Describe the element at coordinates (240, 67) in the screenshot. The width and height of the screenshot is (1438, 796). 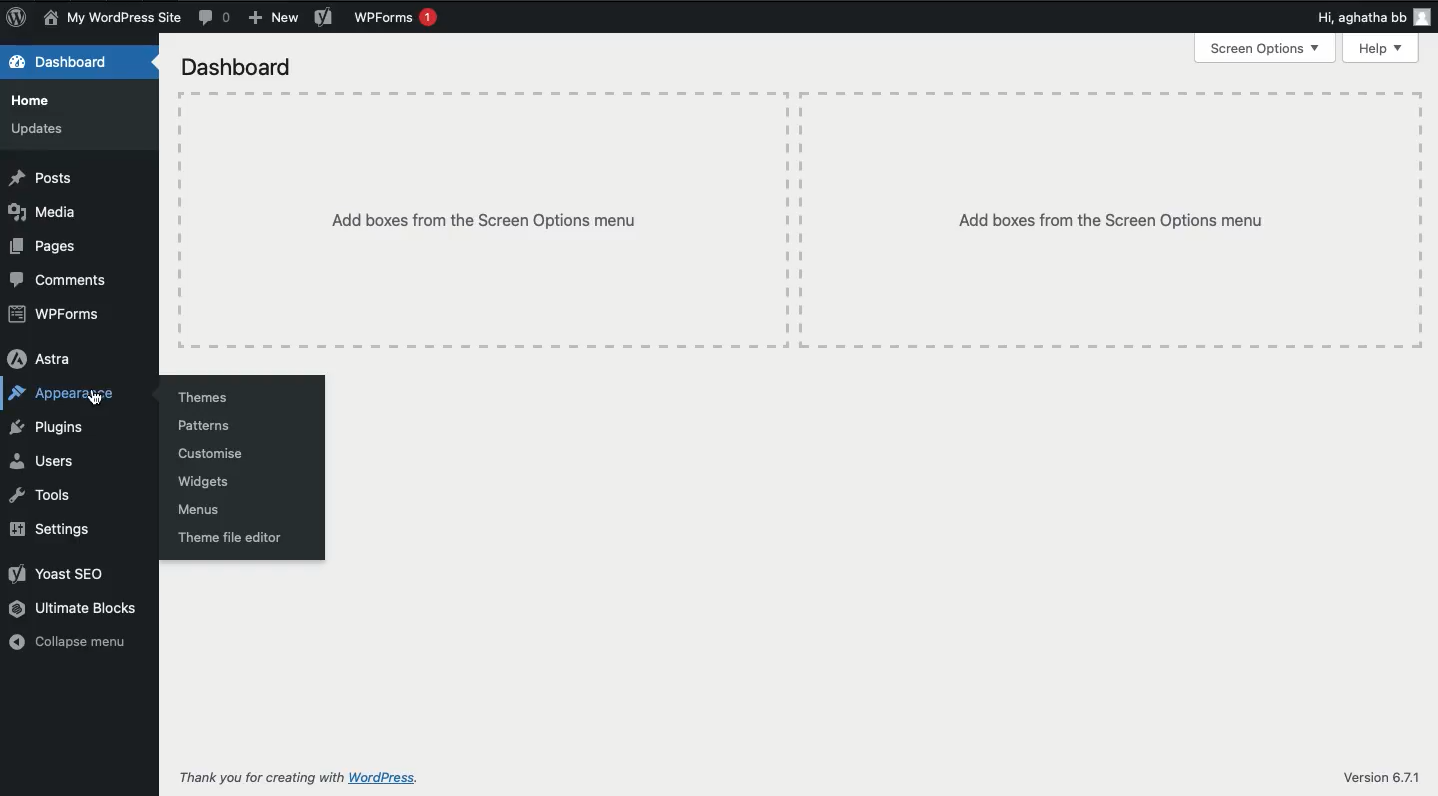
I see `Dashboard` at that location.